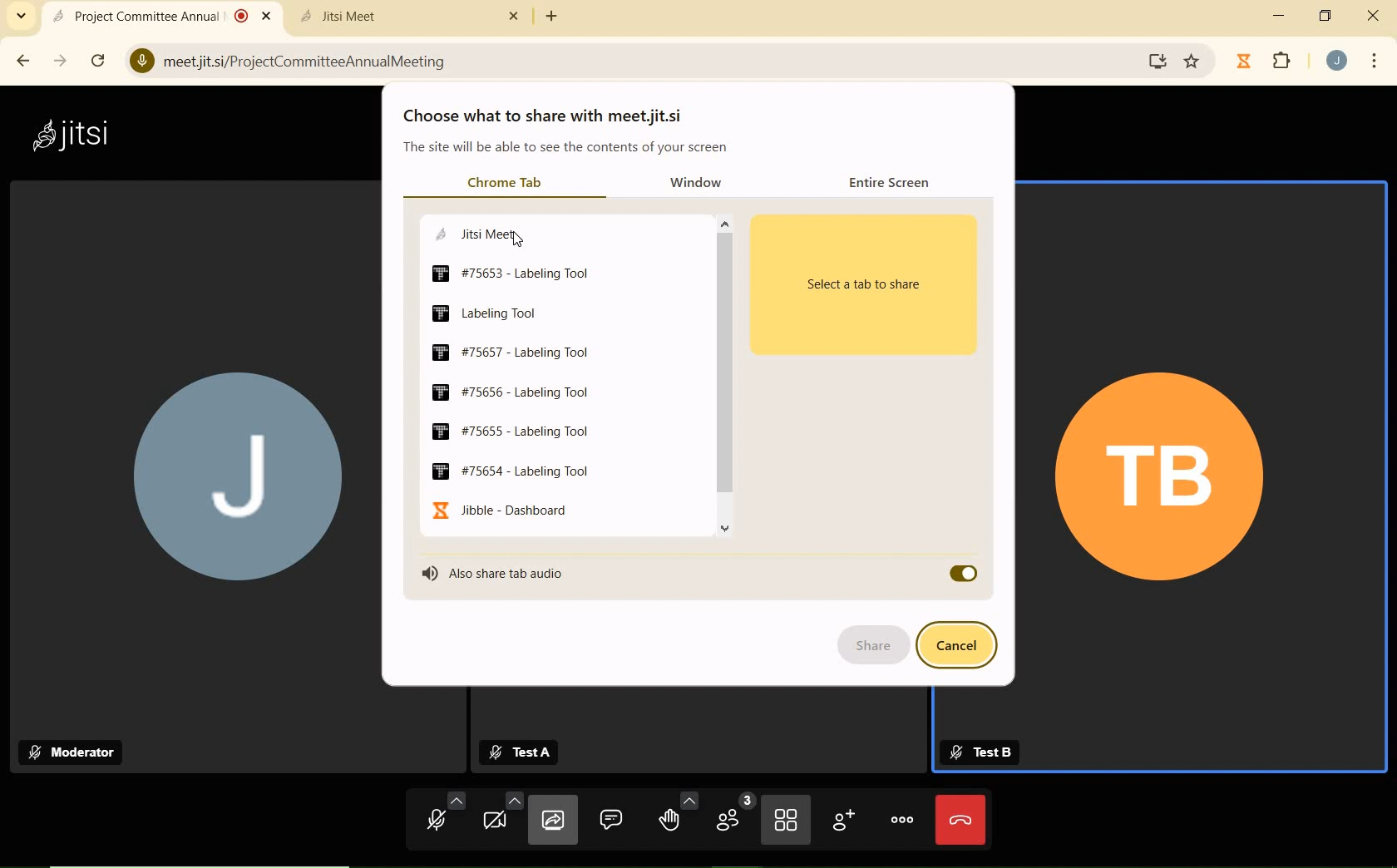 Image resolution: width=1397 pixels, height=868 pixels. Describe the element at coordinates (1159, 62) in the screenshot. I see `Download webpage` at that location.